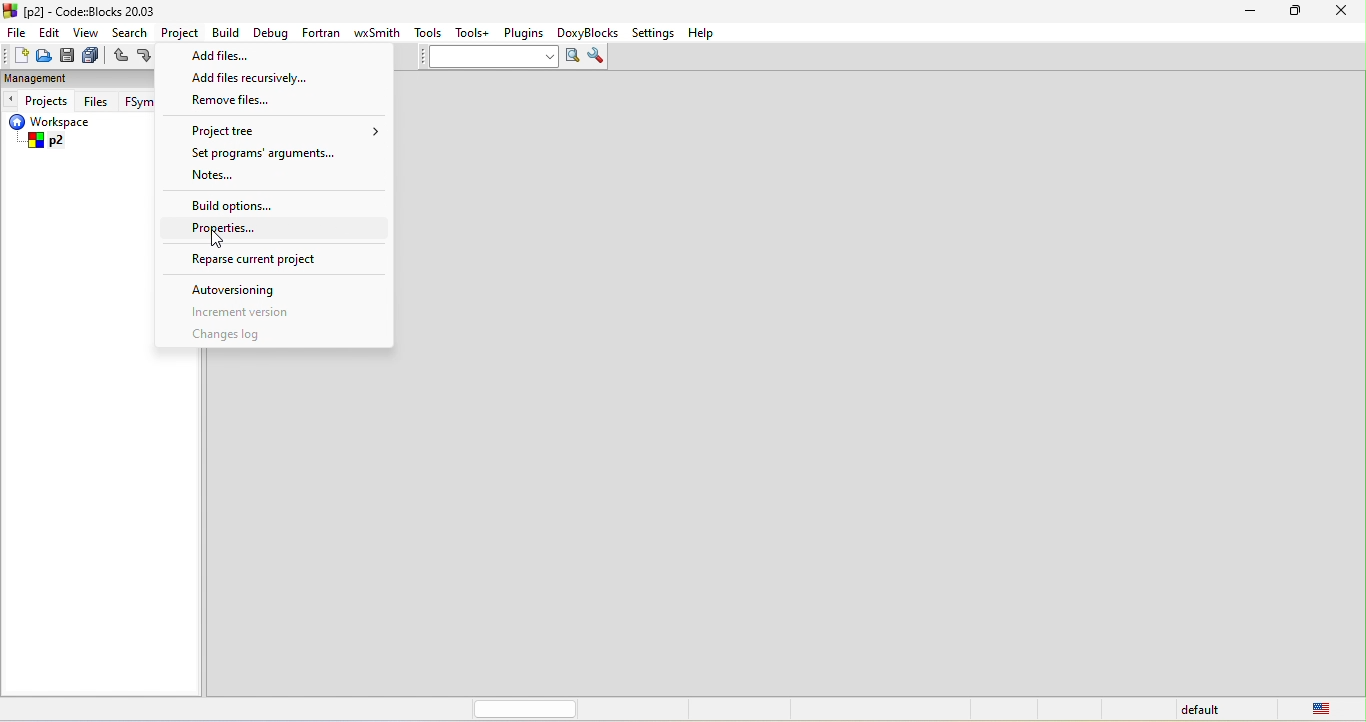 The width and height of the screenshot is (1366, 722). Describe the element at coordinates (286, 128) in the screenshot. I see `project tree` at that location.